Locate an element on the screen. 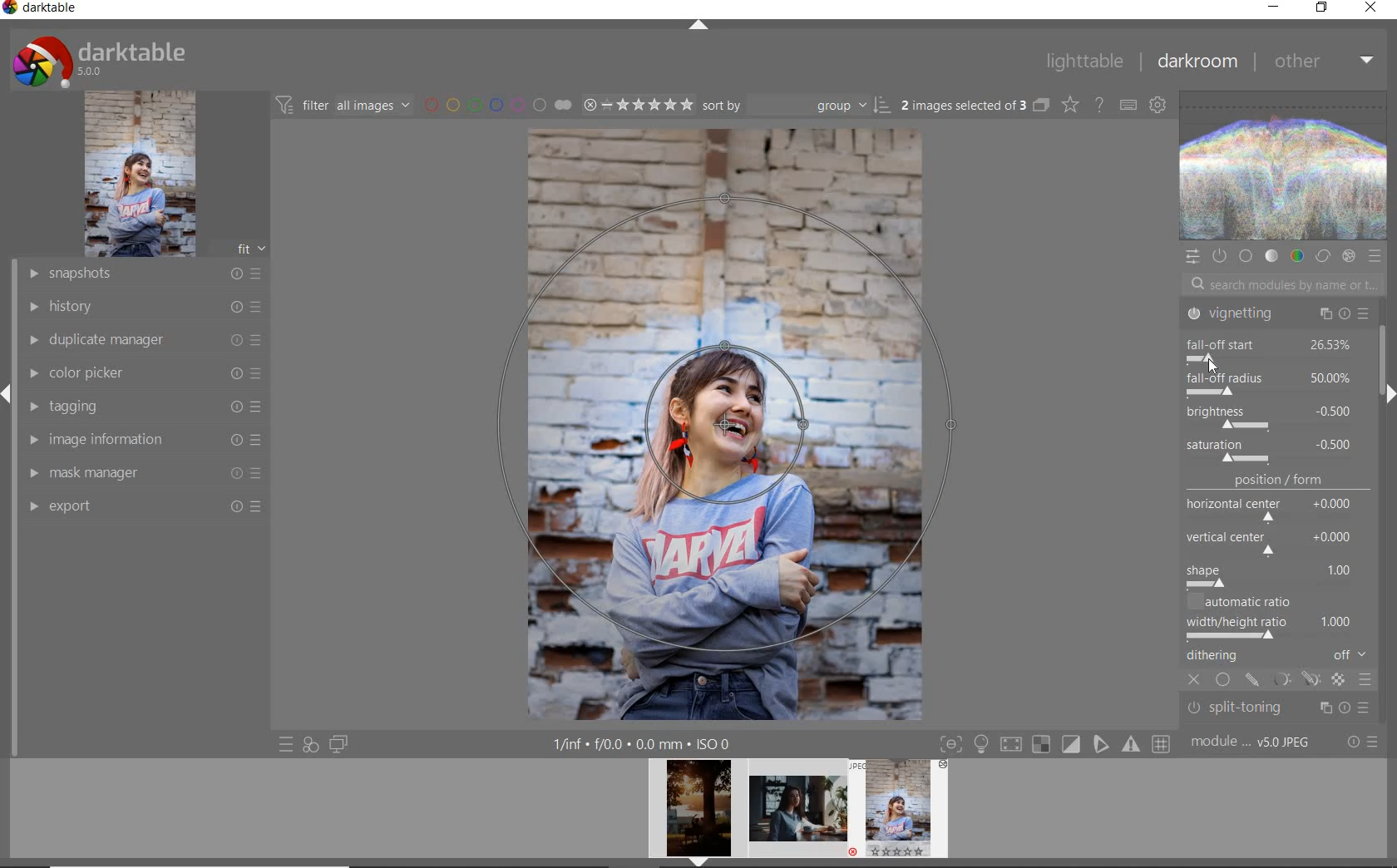 The width and height of the screenshot is (1397, 868). export is located at coordinates (143, 506).